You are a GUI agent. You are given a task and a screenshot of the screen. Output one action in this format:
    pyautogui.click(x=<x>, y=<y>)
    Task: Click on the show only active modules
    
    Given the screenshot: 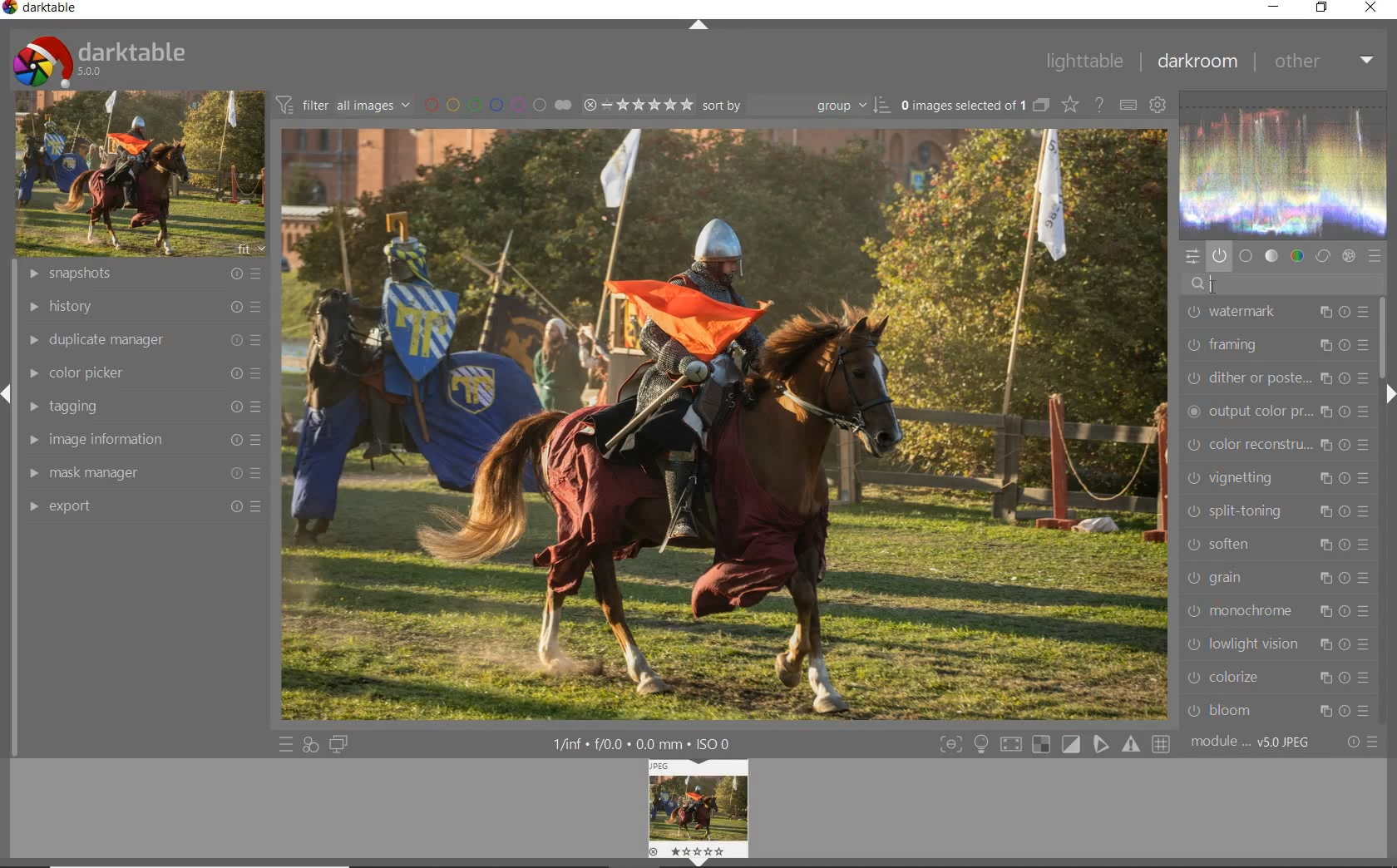 What is the action you would take?
    pyautogui.click(x=1219, y=253)
    